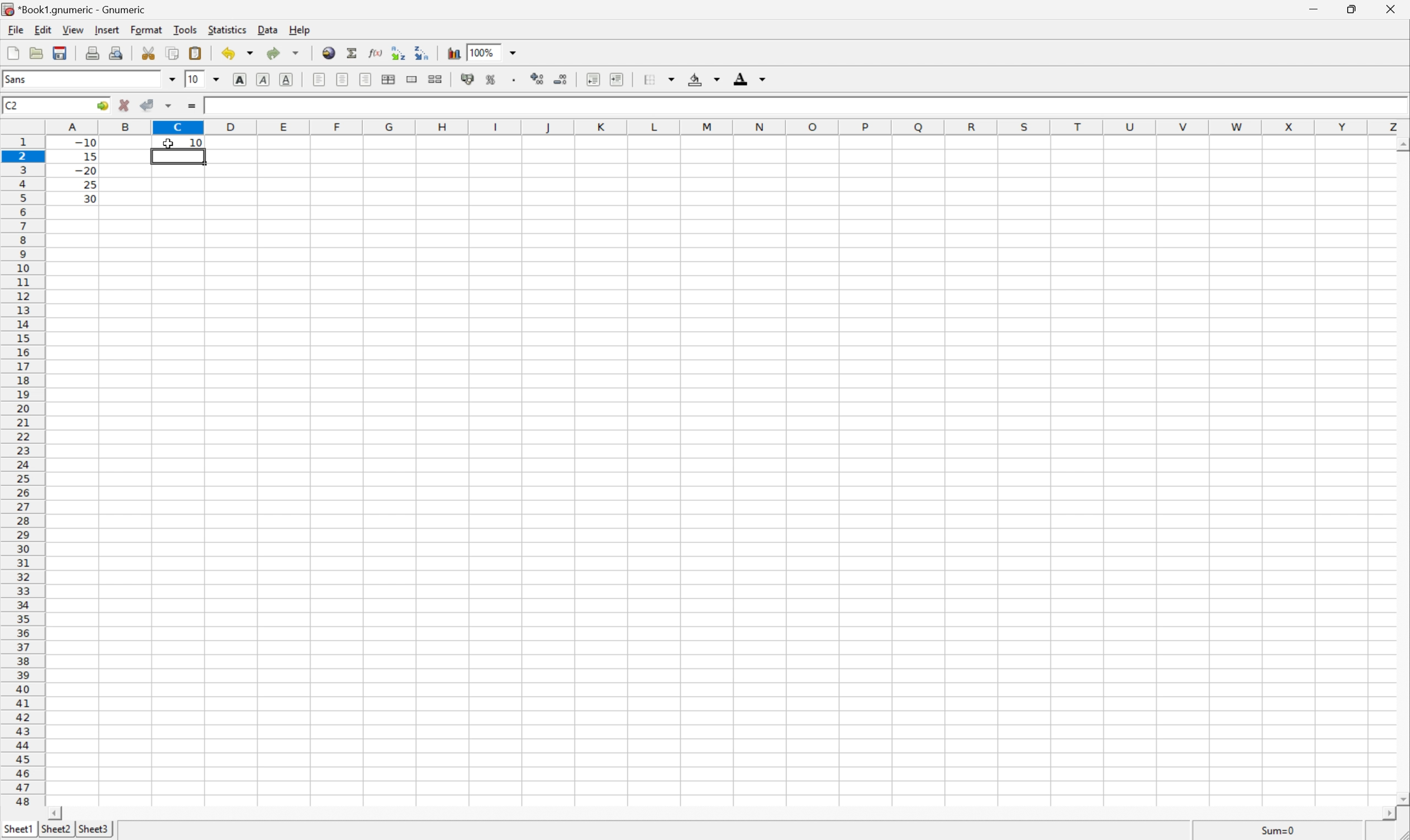 This screenshot has width=1410, height=840. What do you see at coordinates (186, 29) in the screenshot?
I see `Tools` at bounding box center [186, 29].